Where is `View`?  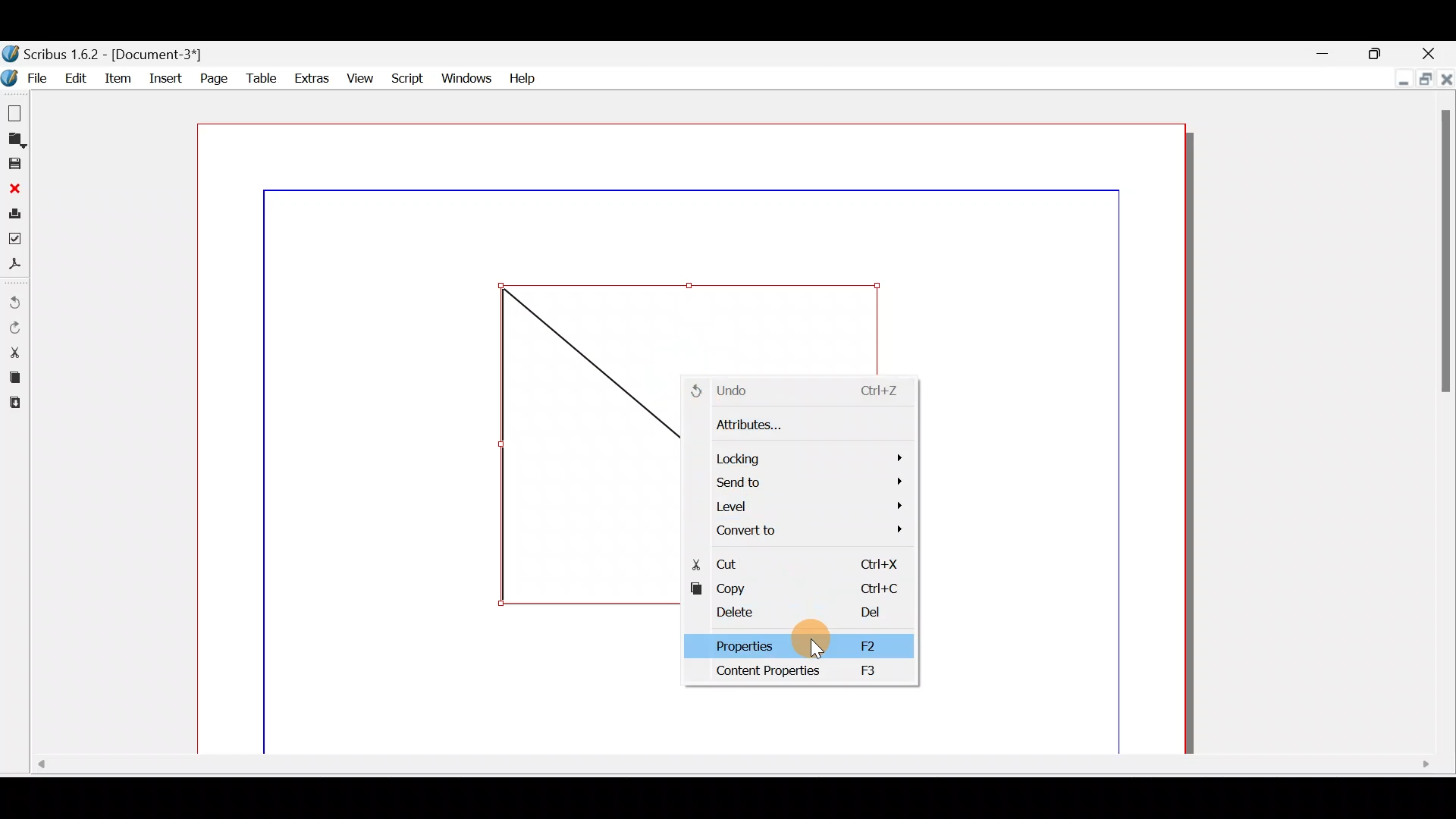 View is located at coordinates (358, 75).